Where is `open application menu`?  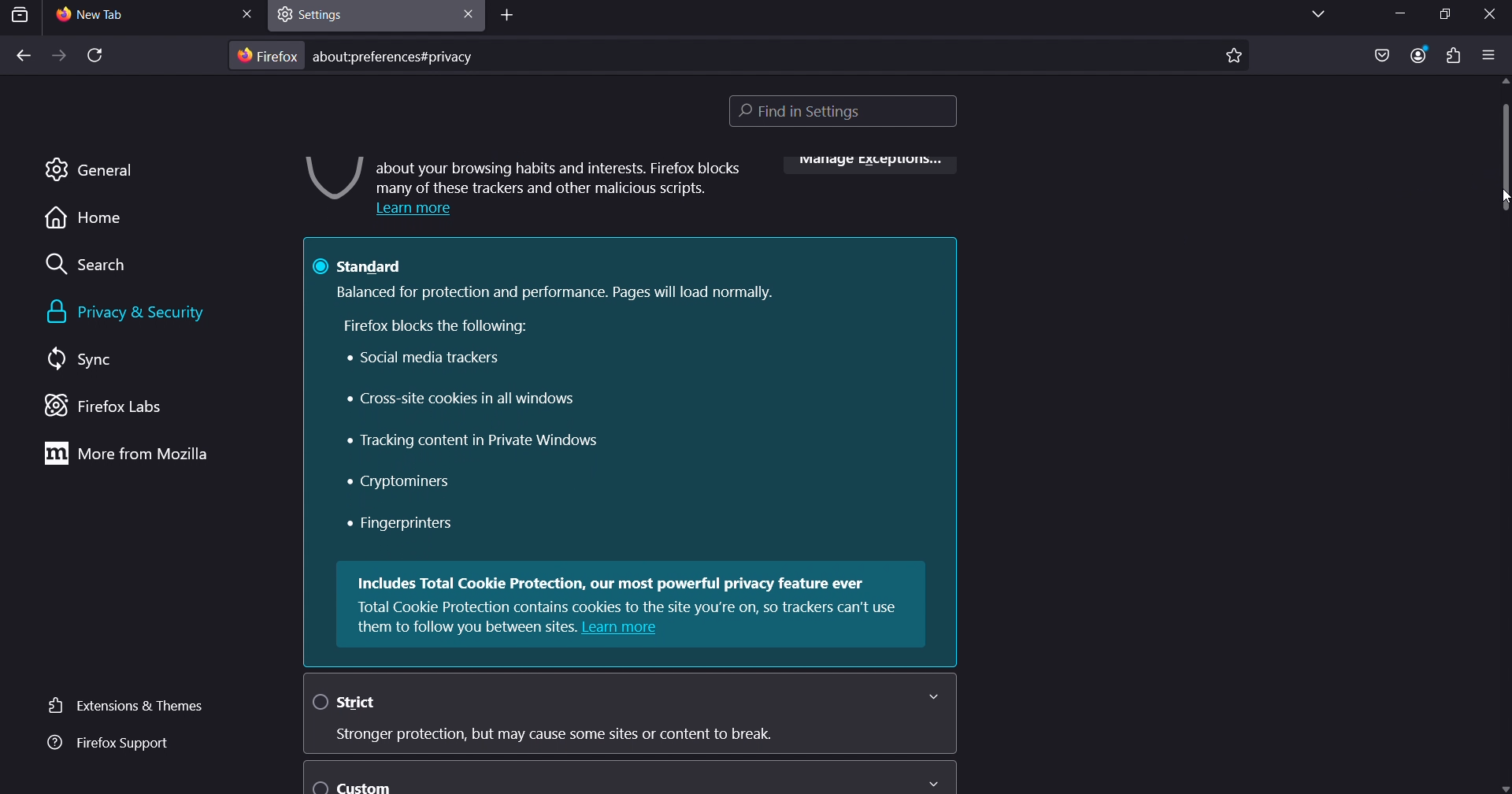 open application menu is located at coordinates (1489, 55).